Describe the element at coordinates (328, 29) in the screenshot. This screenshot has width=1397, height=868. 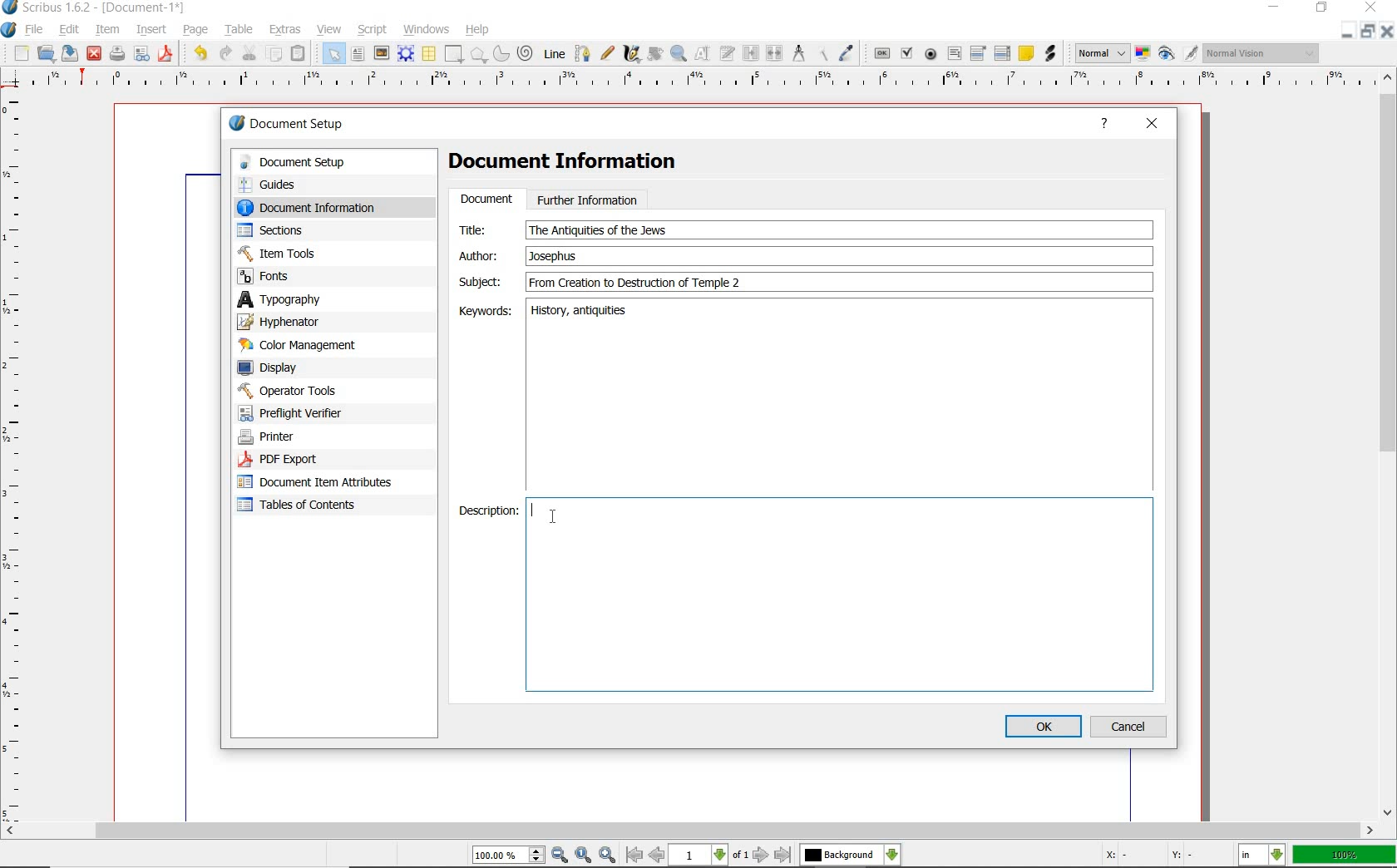
I see `view` at that location.